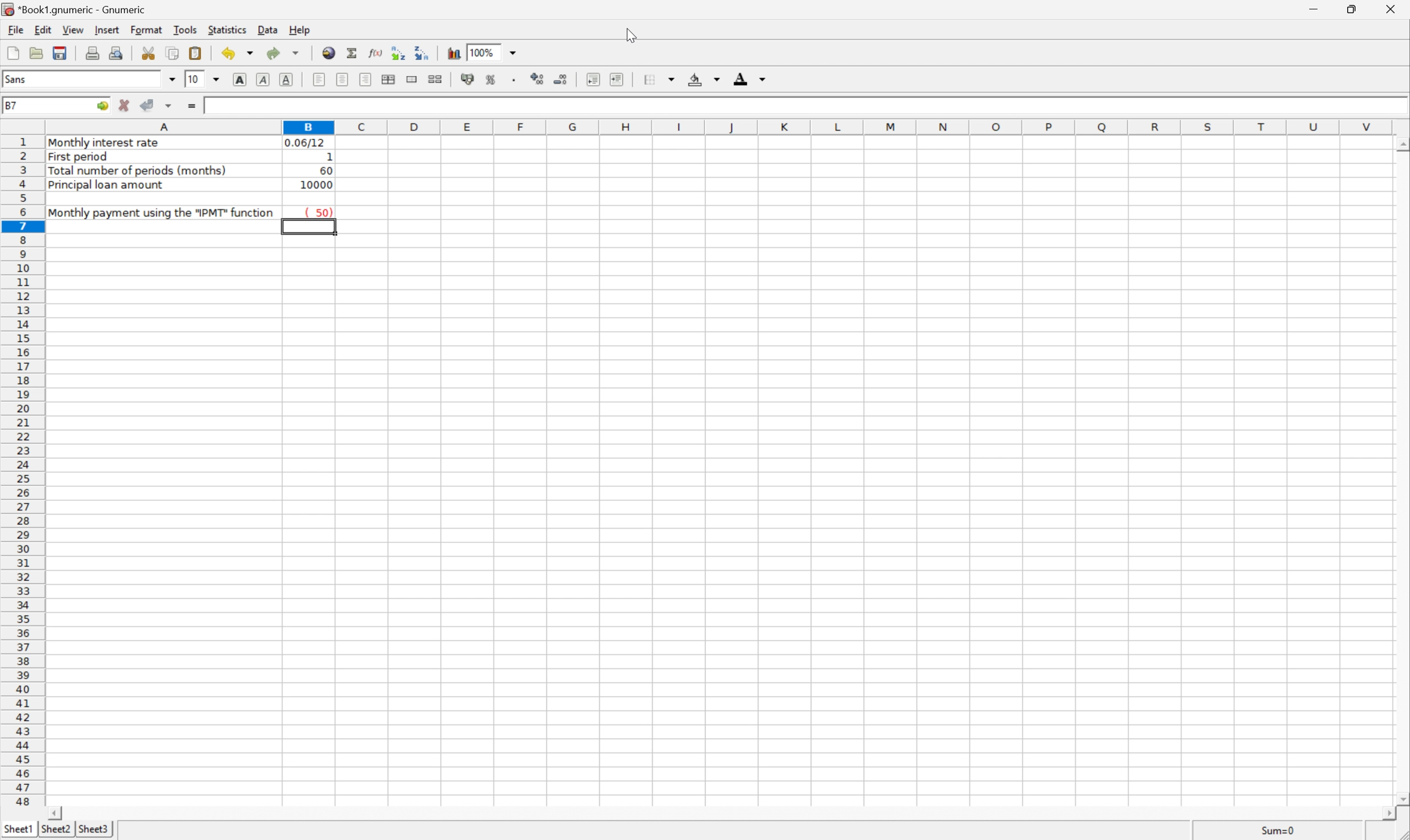  Describe the element at coordinates (397, 53) in the screenshot. I see `Sort the selected region in ascending order based on the first column selected` at that location.